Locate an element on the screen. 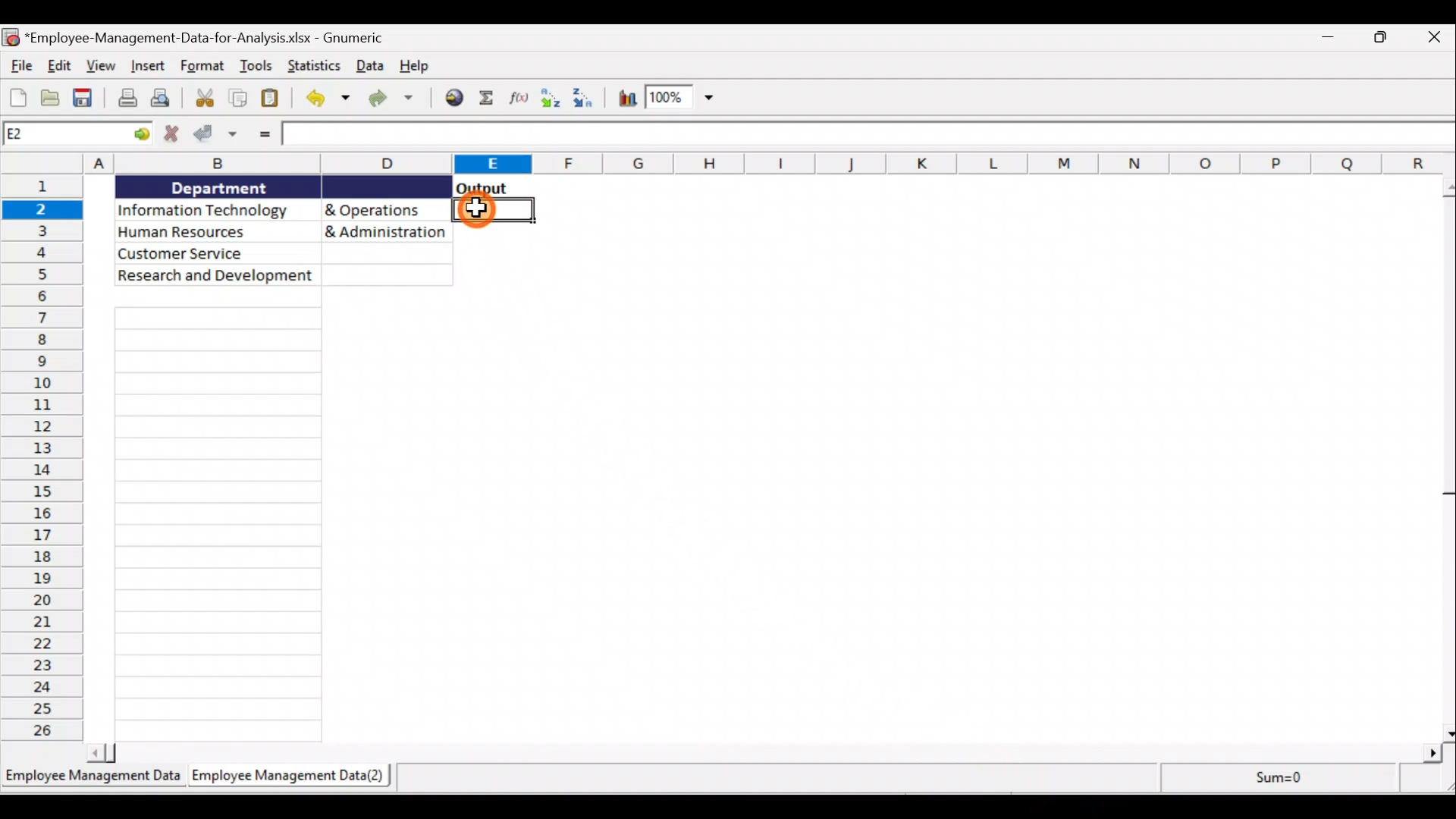  Open a file is located at coordinates (53, 97).